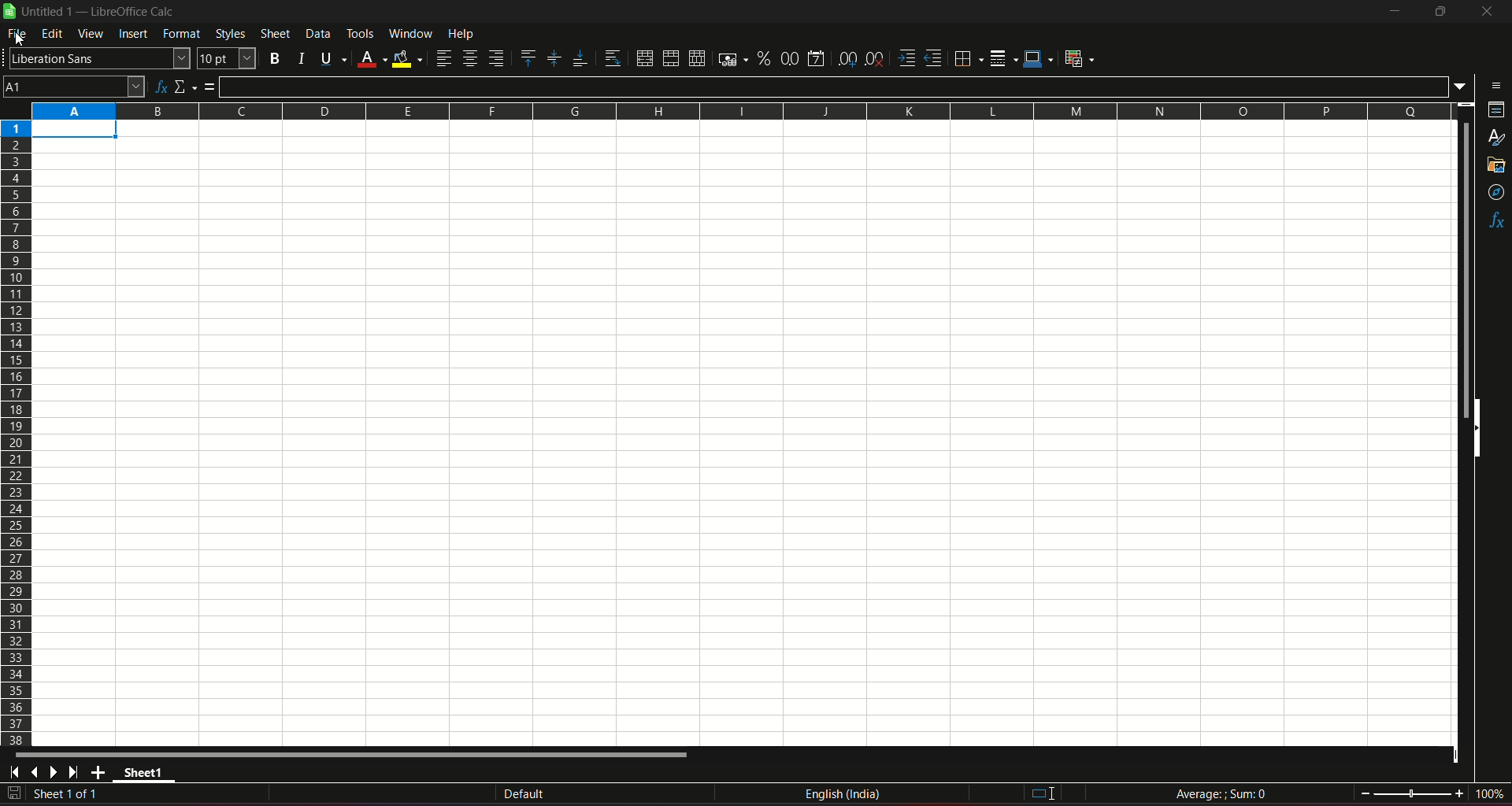 The width and height of the screenshot is (1512, 806). I want to click on delete decimal point, so click(876, 58).